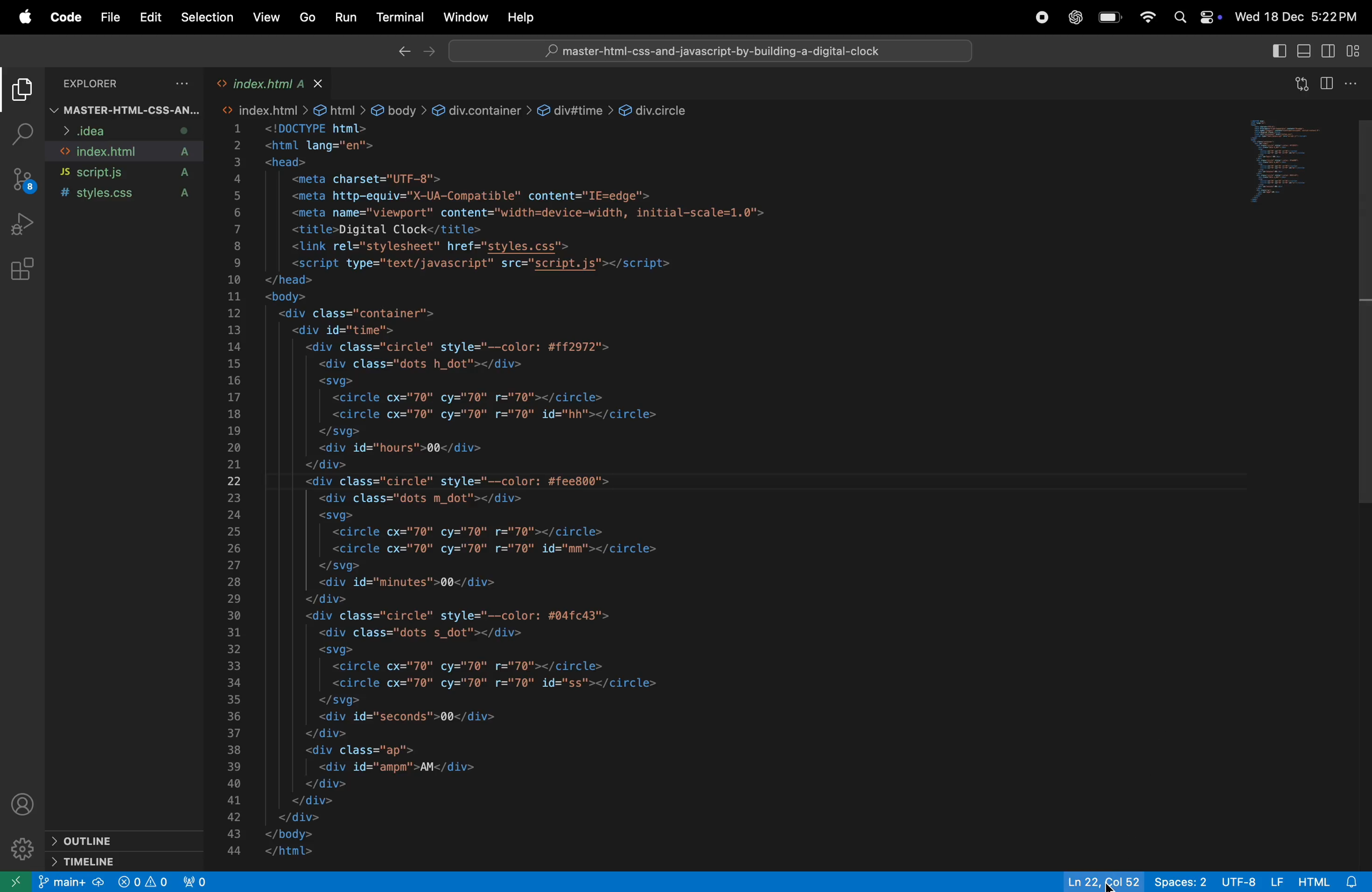 Image resolution: width=1372 pixels, height=892 pixels. Describe the element at coordinates (1074, 16) in the screenshot. I see `chatgpt` at that location.